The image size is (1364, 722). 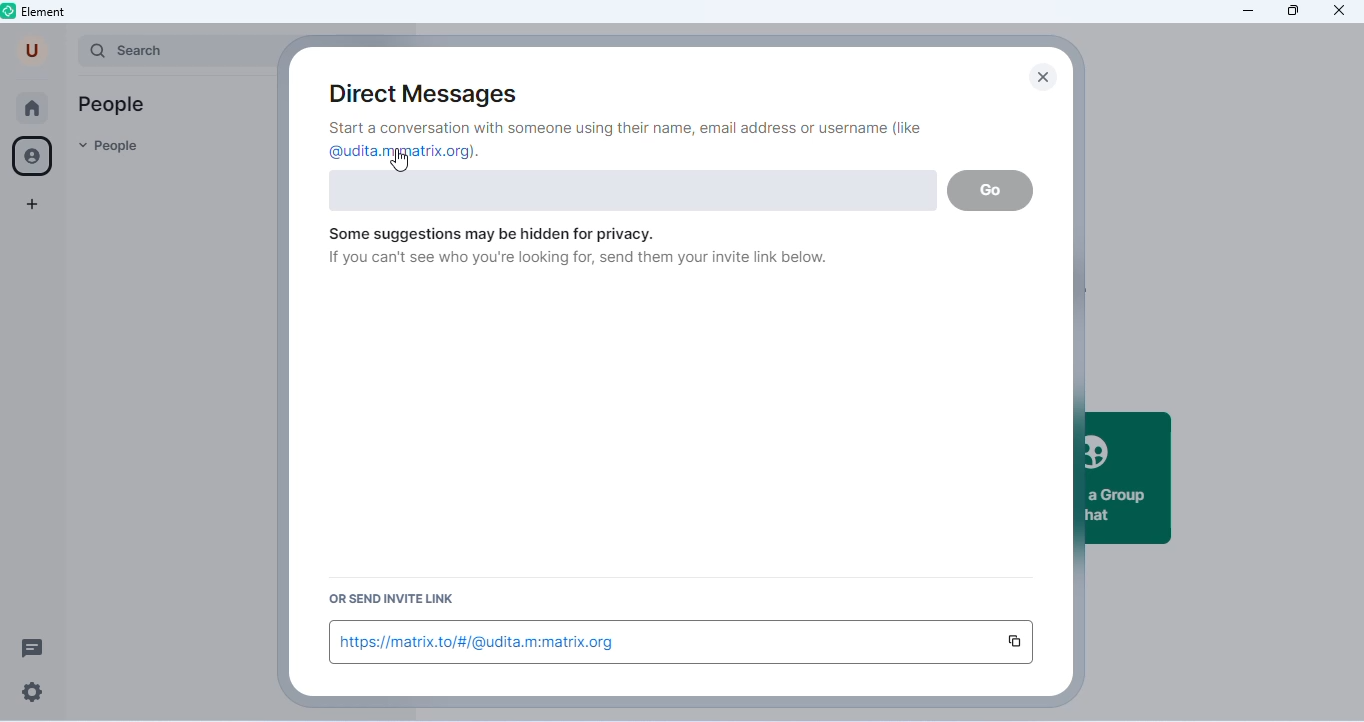 What do you see at coordinates (404, 151) in the screenshot?
I see `@udita.m:matrix.org).` at bounding box center [404, 151].